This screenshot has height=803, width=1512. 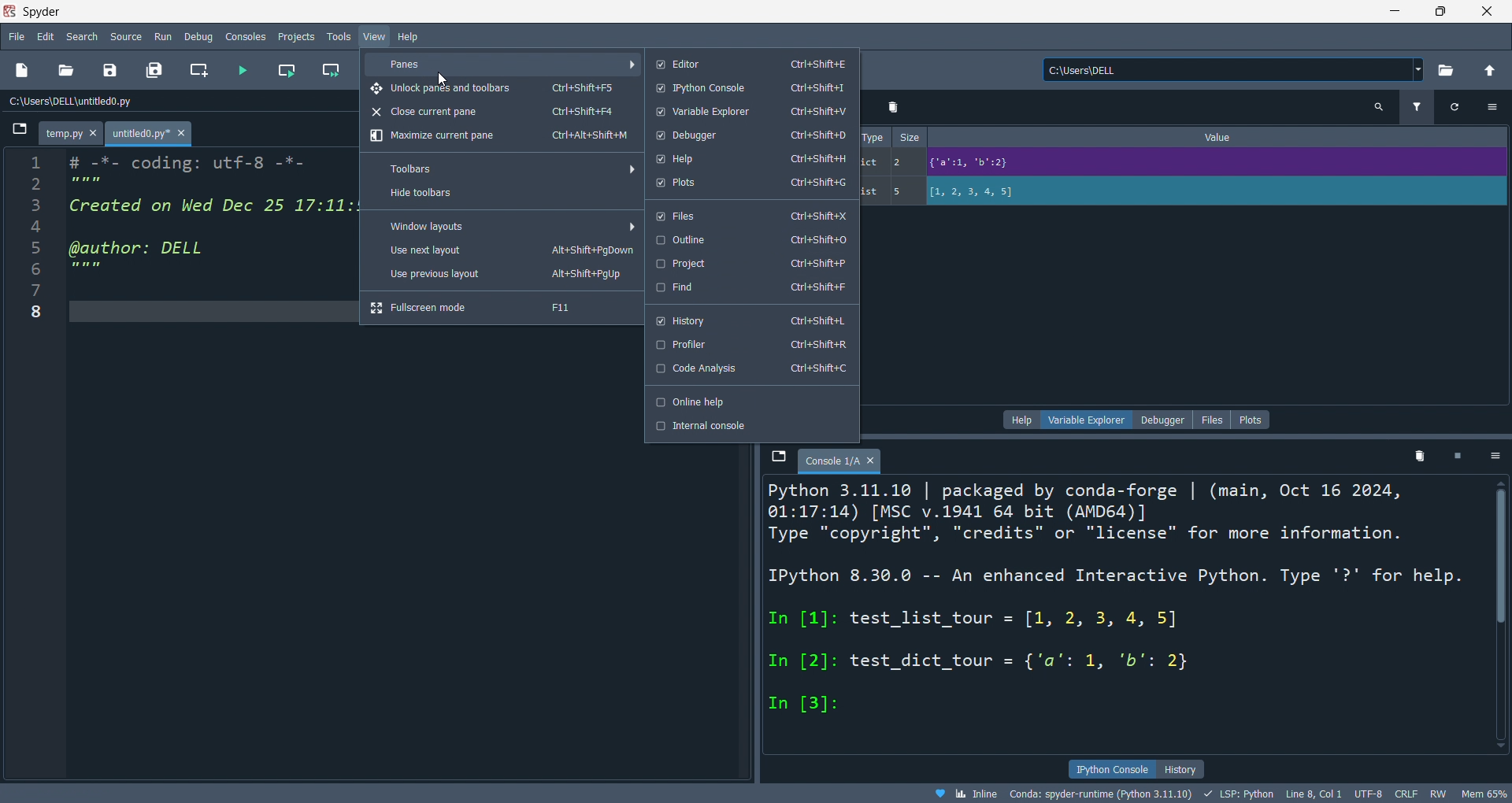 I want to click on source, so click(x=127, y=35).